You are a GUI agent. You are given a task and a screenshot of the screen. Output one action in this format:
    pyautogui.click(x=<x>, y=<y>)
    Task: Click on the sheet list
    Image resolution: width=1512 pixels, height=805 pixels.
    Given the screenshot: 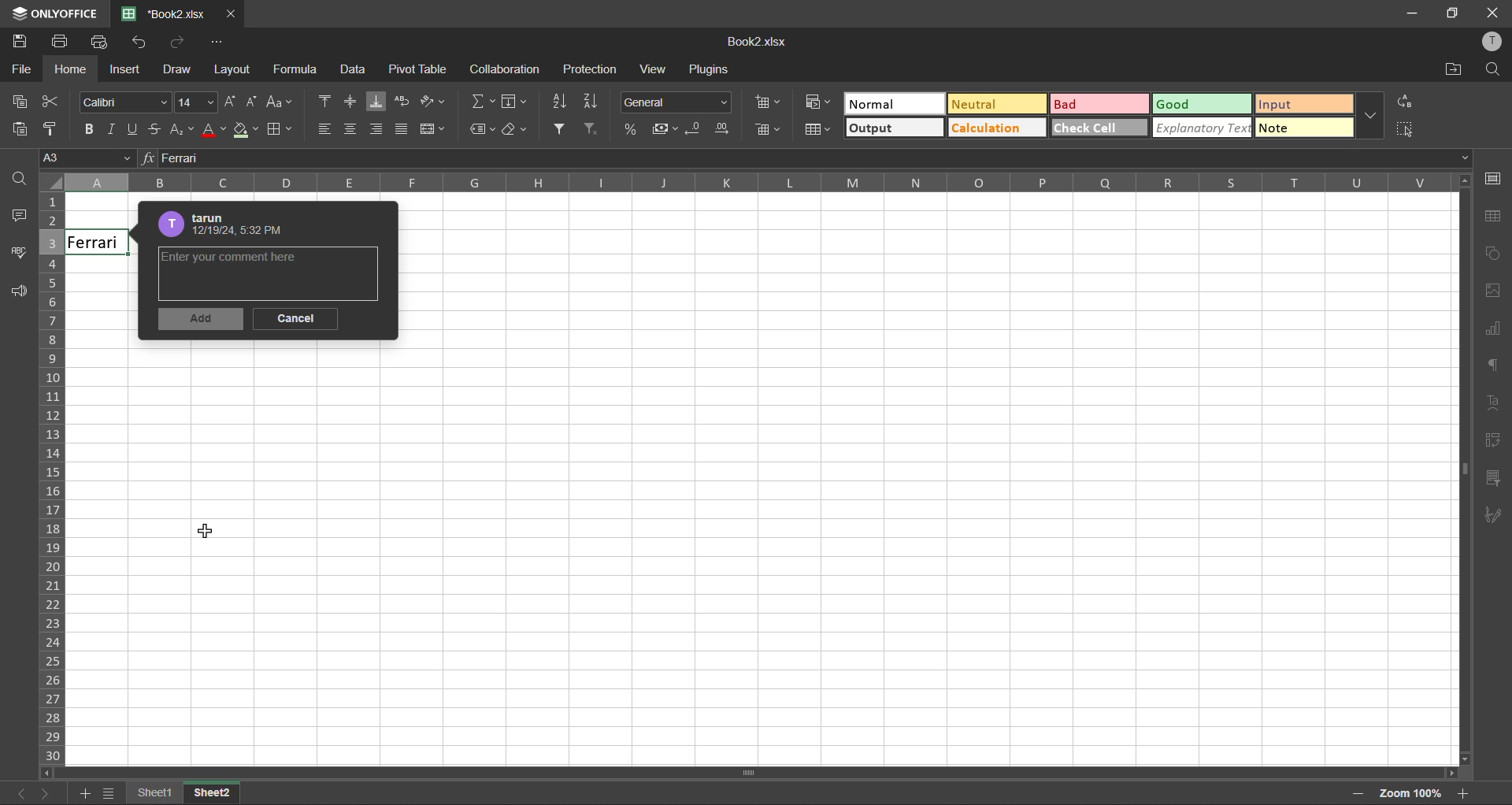 What is the action you would take?
    pyautogui.click(x=107, y=794)
    